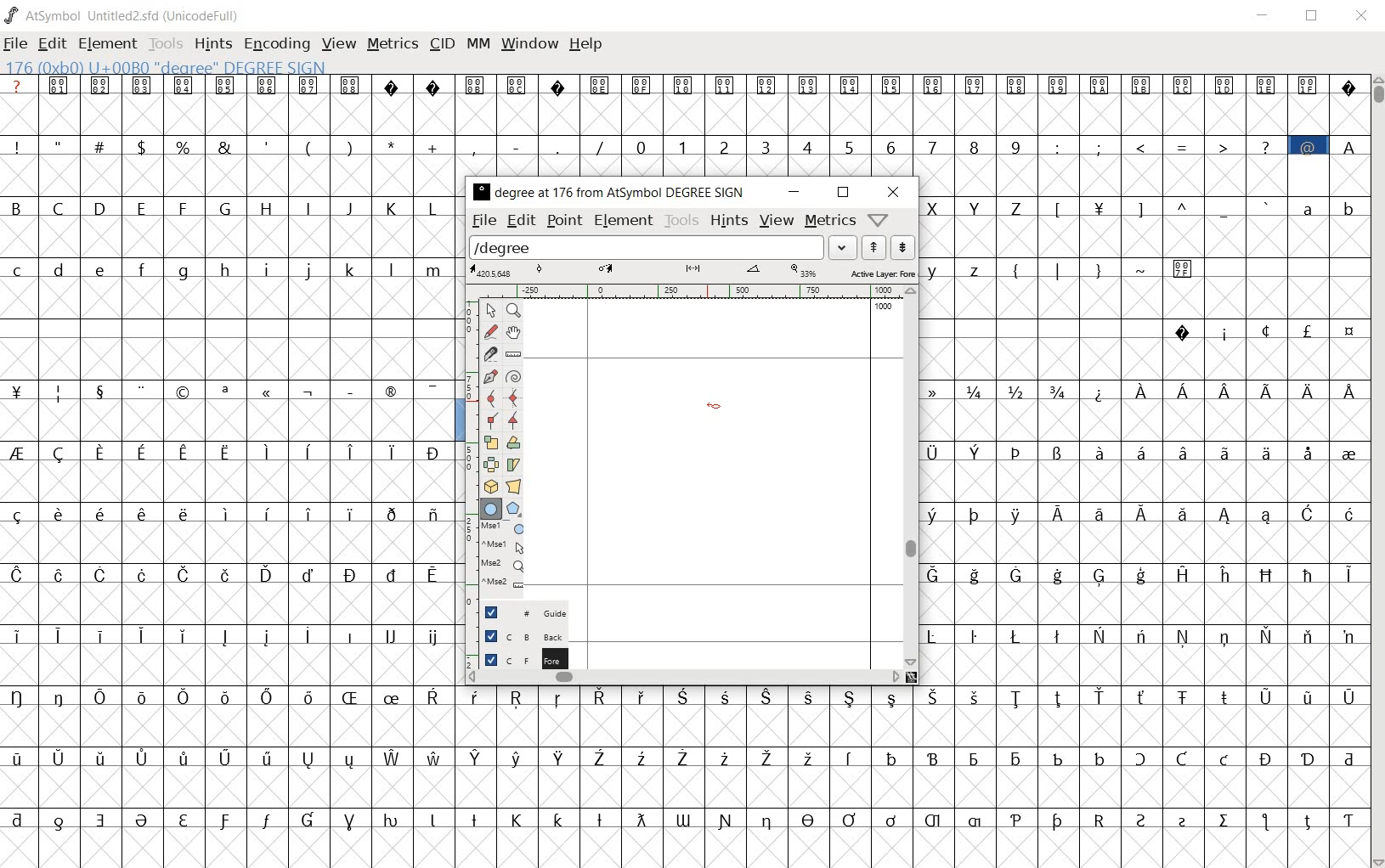 Image resolution: width=1385 pixels, height=868 pixels. Describe the element at coordinates (233, 633) in the screenshot. I see `special letters` at that location.